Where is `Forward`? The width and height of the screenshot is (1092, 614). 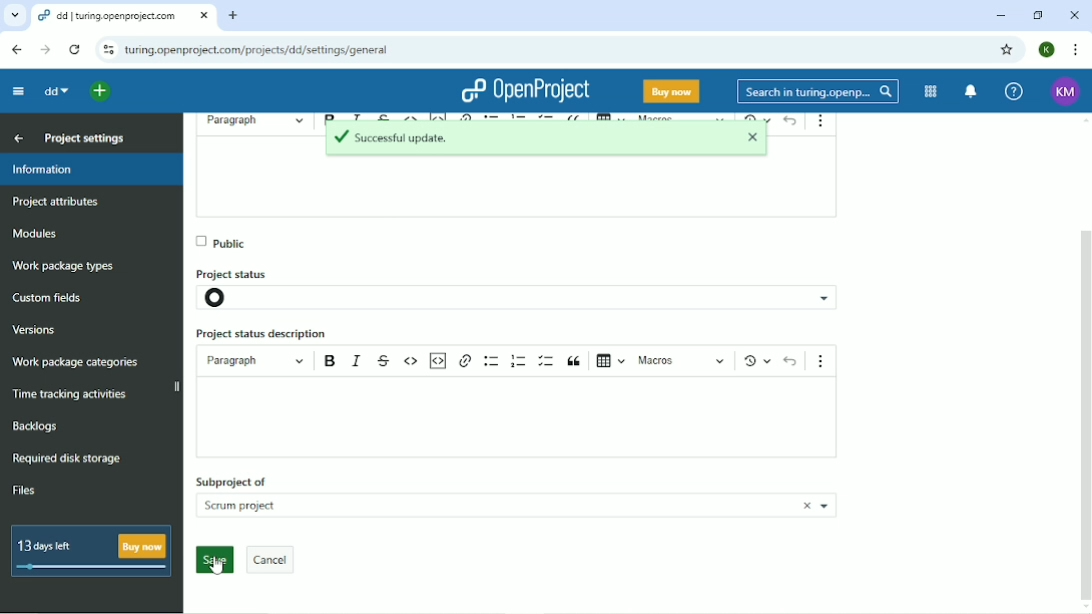
Forward is located at coordinates (45, 51).